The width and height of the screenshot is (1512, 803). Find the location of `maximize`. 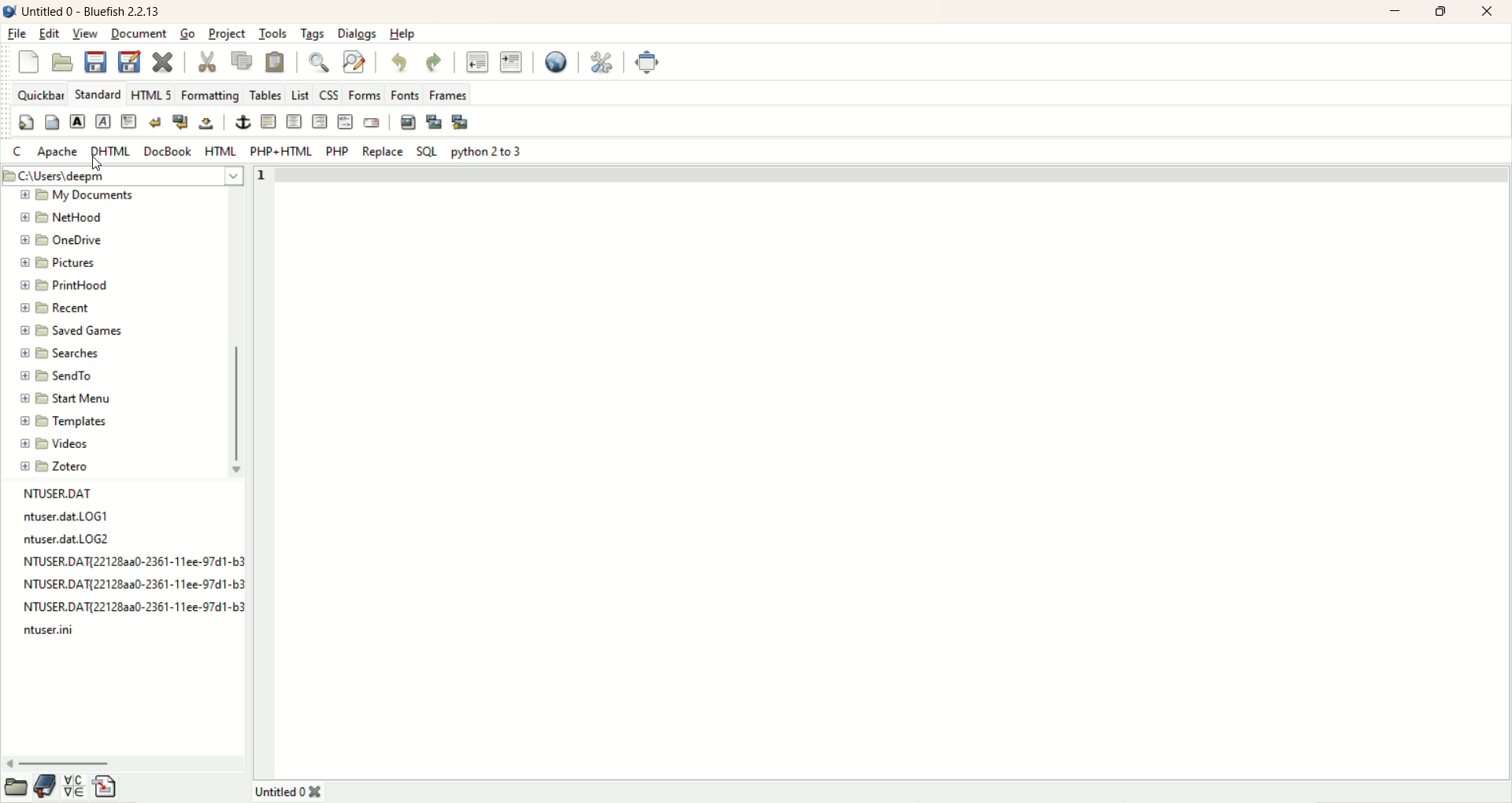

maximize is located at coordinates (1444, 12).